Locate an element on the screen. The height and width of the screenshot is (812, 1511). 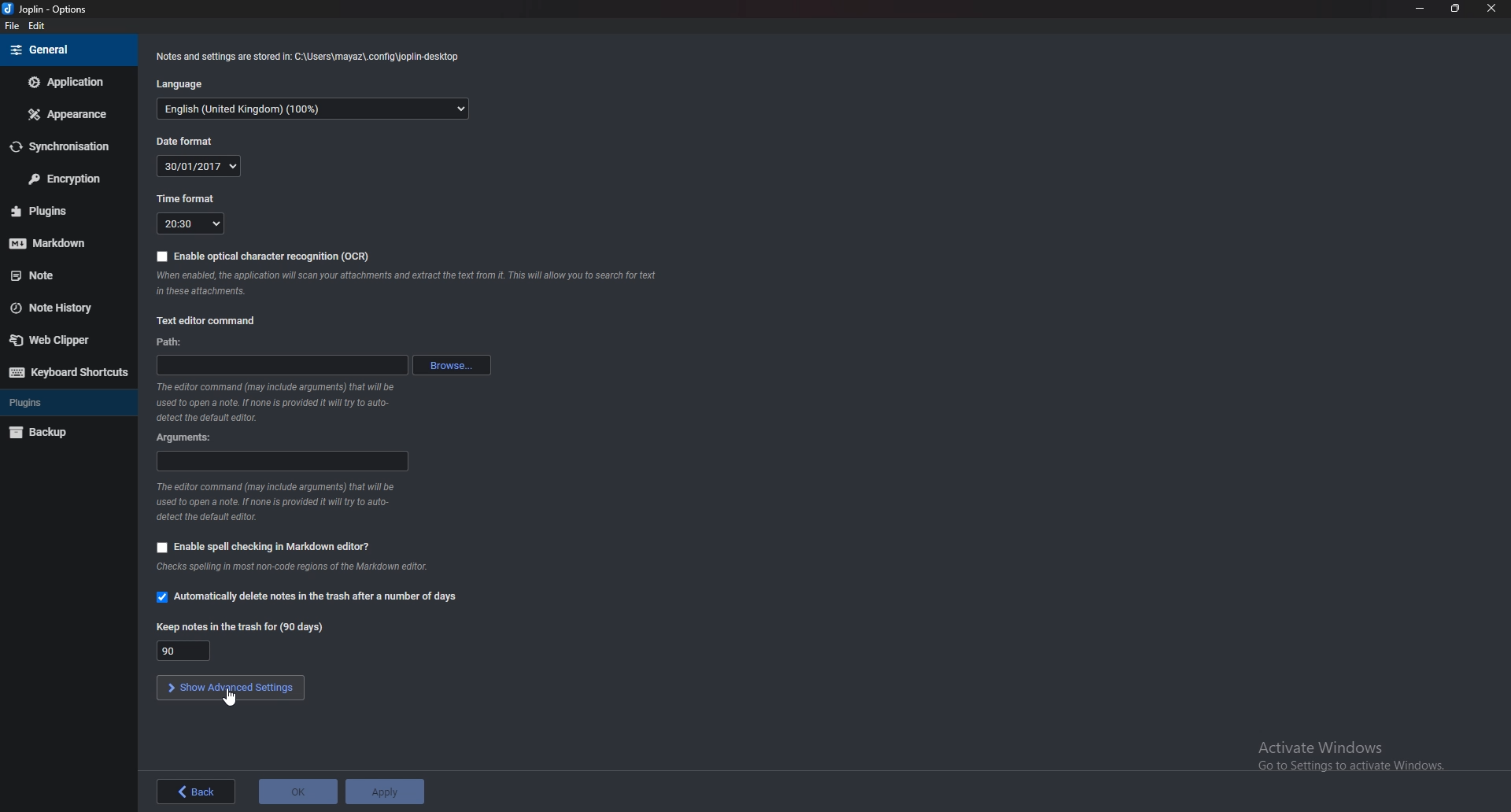
Web clipper is located at coordinates (65, 338).